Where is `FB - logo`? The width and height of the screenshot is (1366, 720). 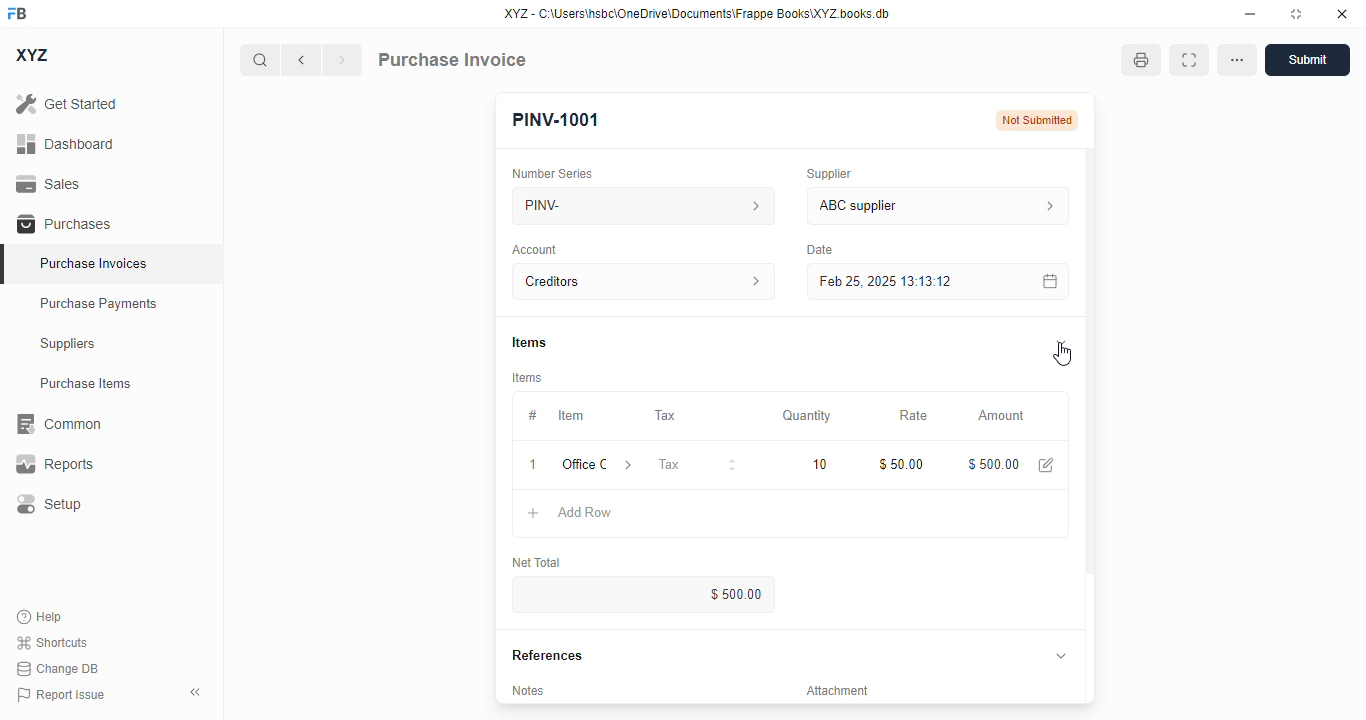 FB - logo is located at coordinates (17, 13).